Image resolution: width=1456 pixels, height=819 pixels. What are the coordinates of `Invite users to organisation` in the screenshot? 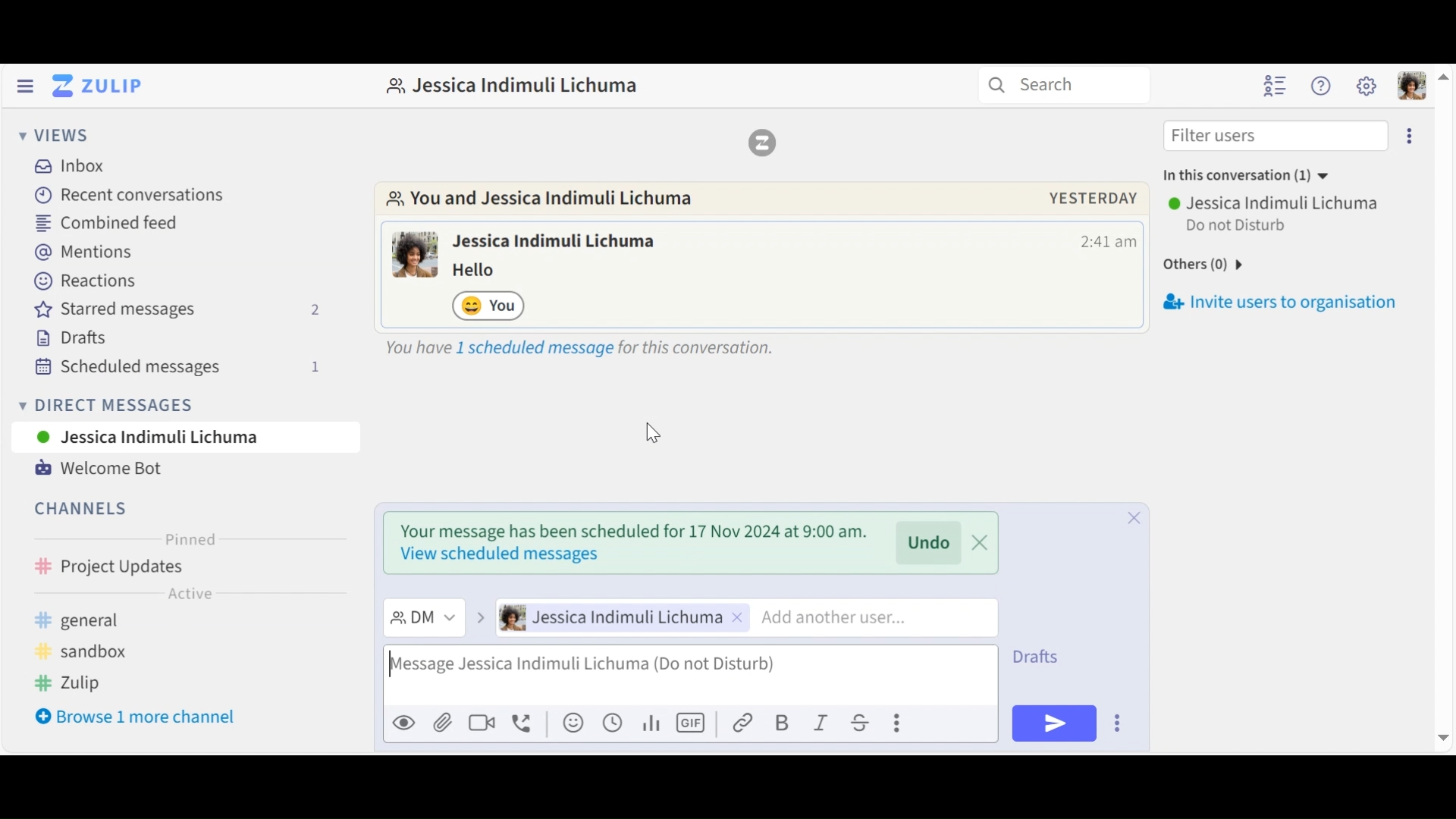 It's located at (1285, 299).